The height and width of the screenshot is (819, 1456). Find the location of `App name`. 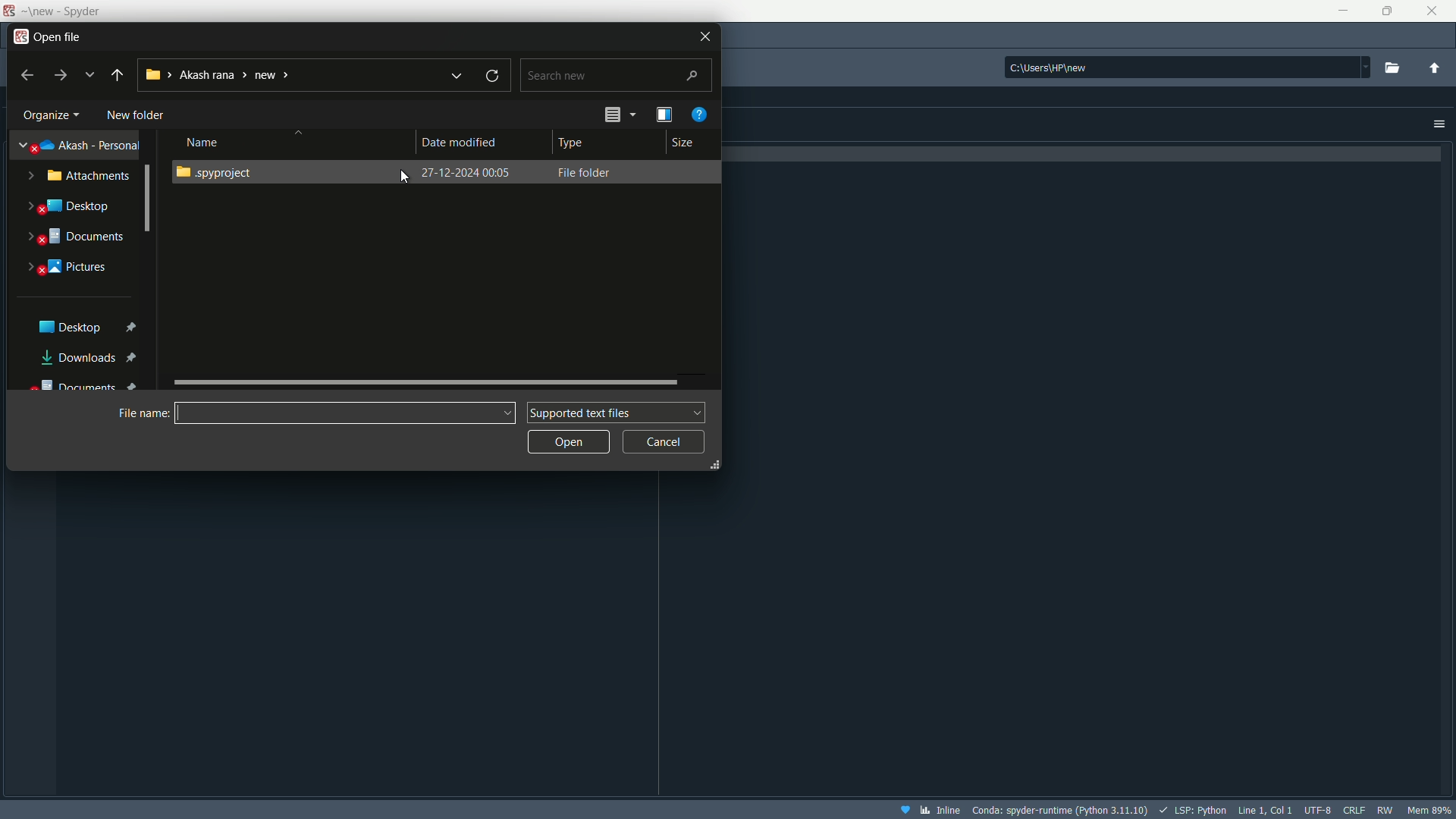

App name is located at coordinates (70, 11).